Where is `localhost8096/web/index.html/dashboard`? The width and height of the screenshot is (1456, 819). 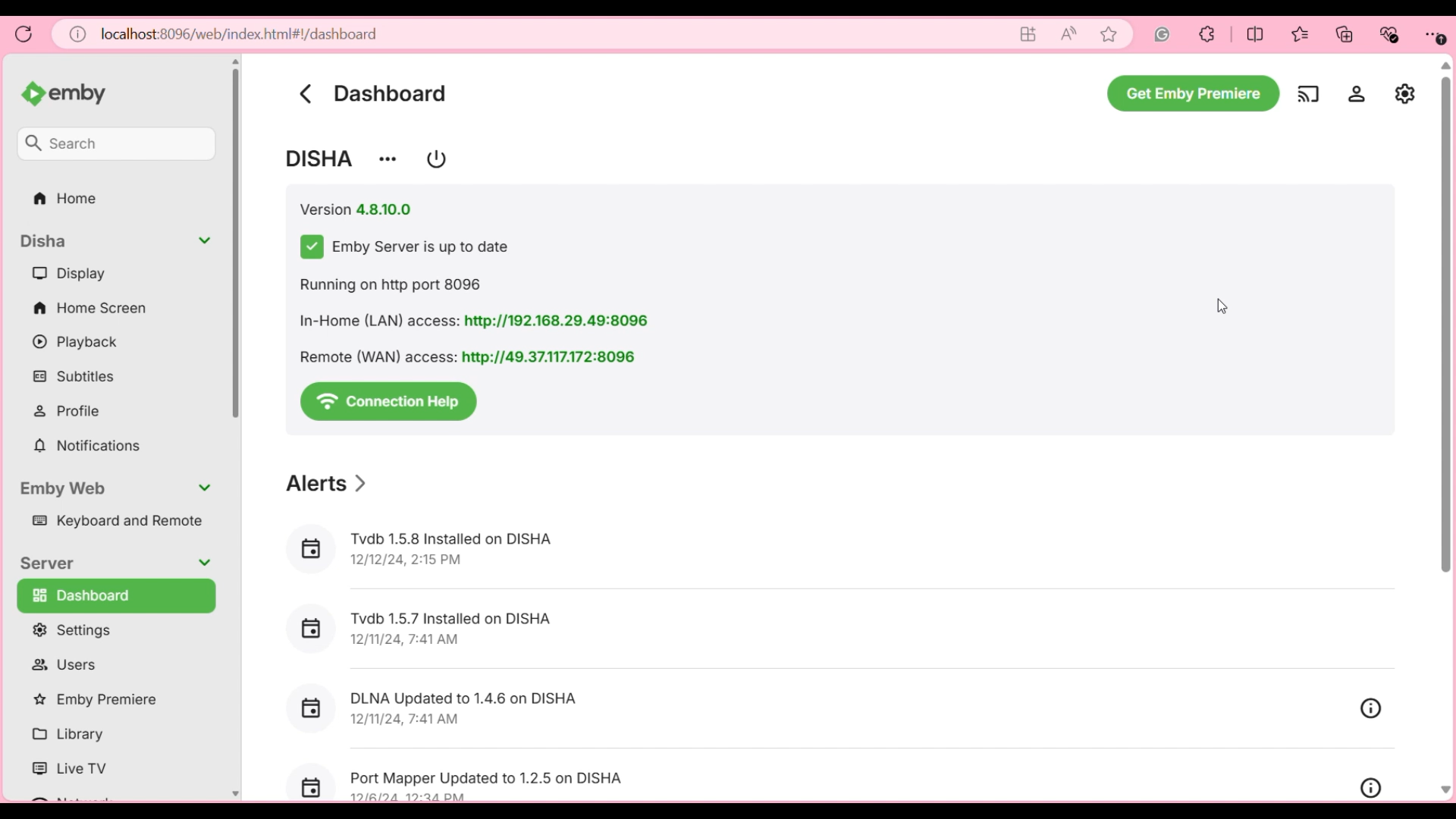
localhost8096/web/index.html/dashboard is located at coordinates (240, 33).